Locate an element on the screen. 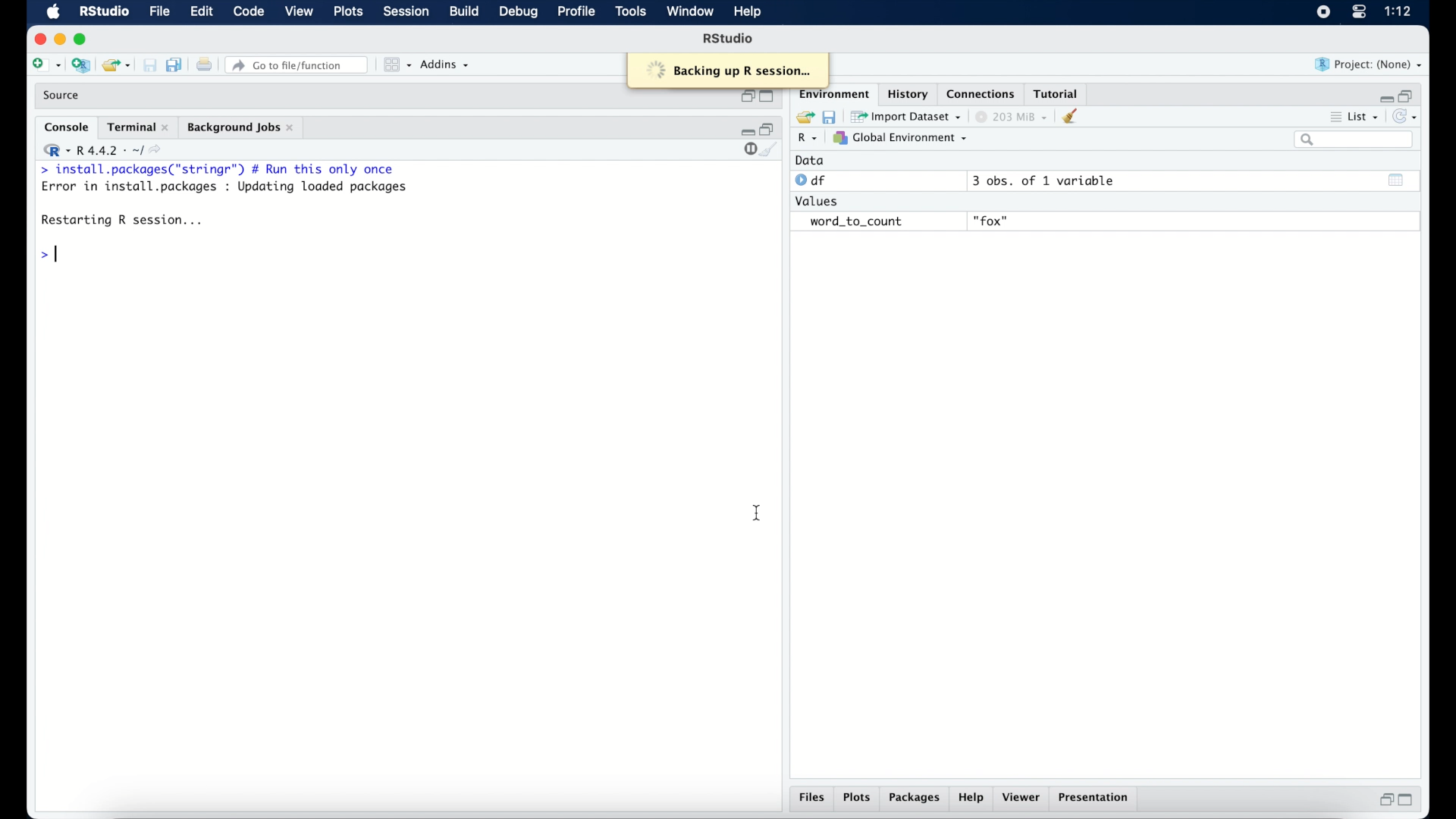 The height and width of the screenshot is (819, 1456). clear console is located at coordinates (772, 151).